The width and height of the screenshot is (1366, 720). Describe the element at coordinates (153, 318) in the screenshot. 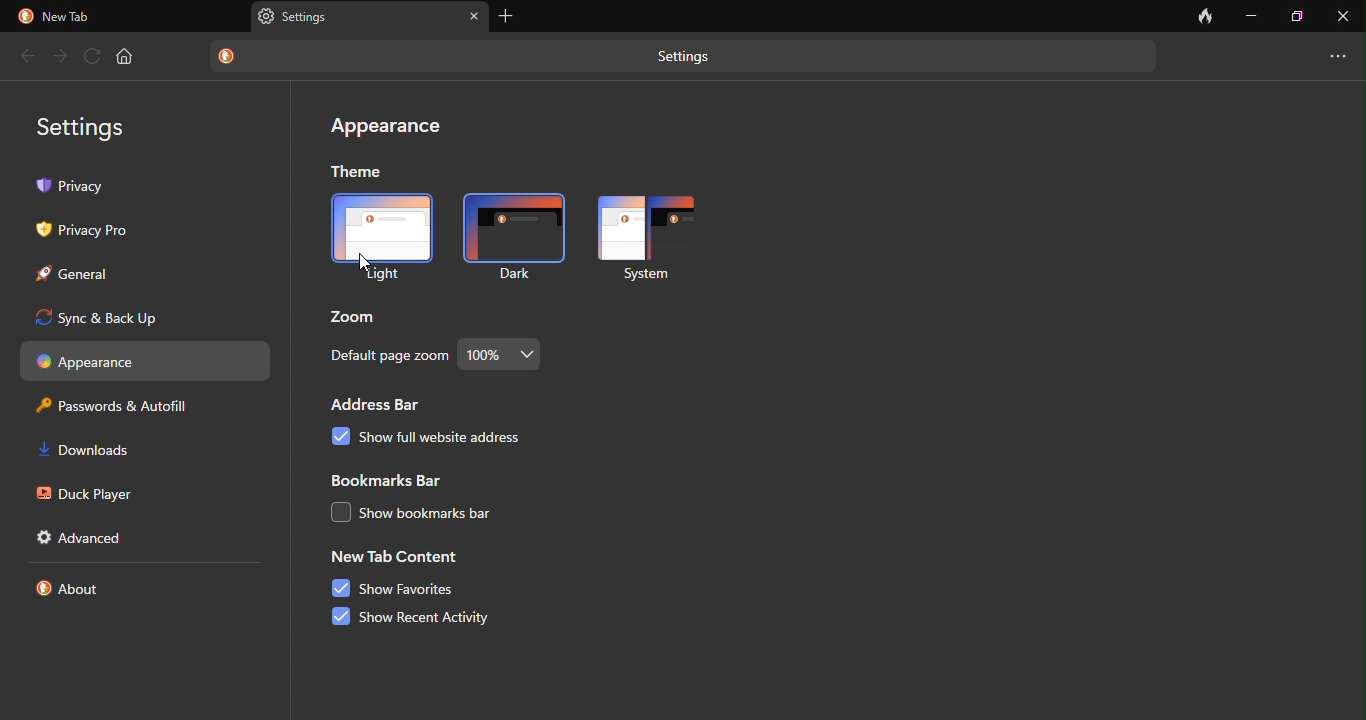

I see `sync and back up` at that location.